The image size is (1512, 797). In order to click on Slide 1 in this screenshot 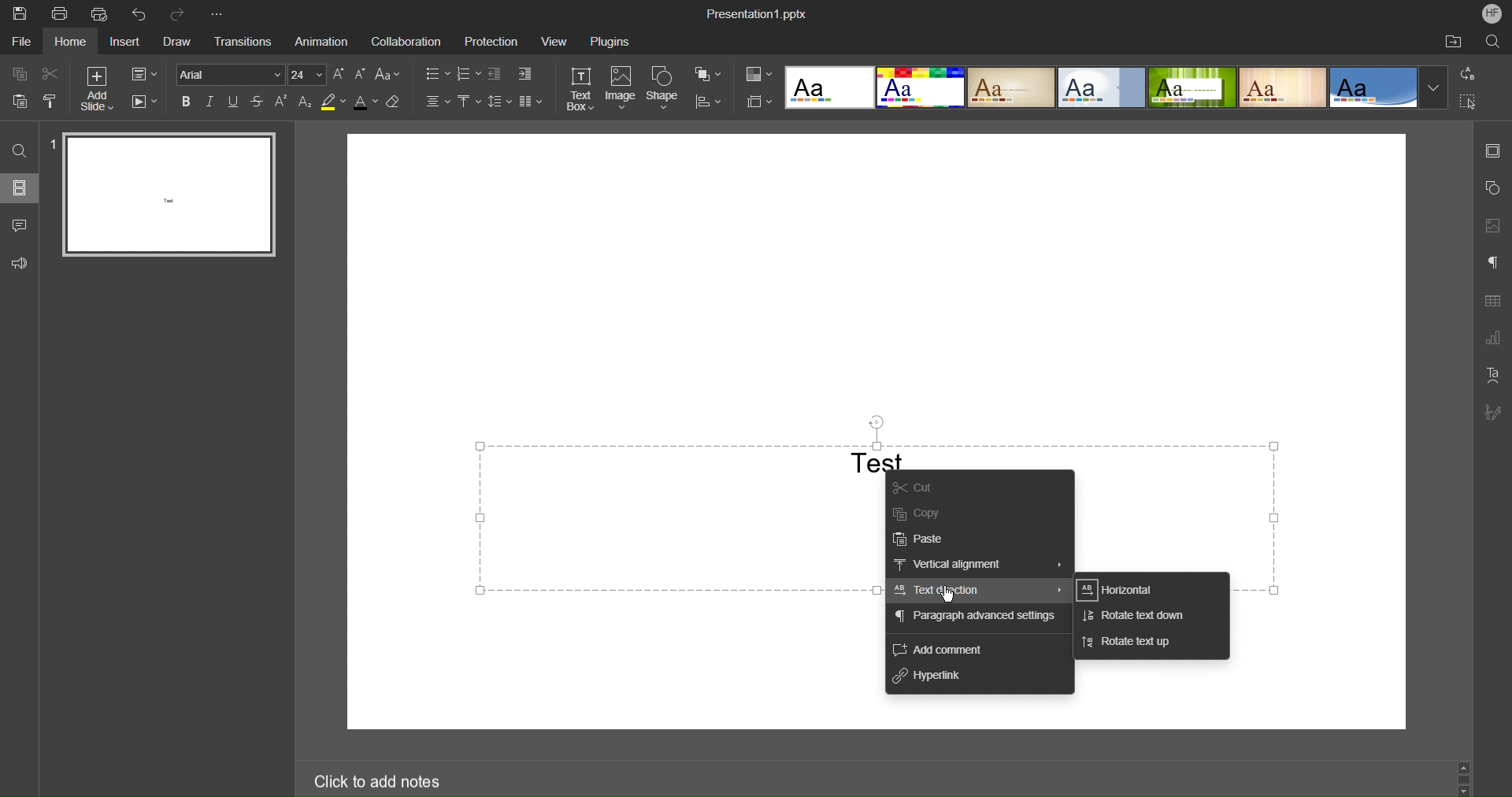, I will do `click(165, 194)`.